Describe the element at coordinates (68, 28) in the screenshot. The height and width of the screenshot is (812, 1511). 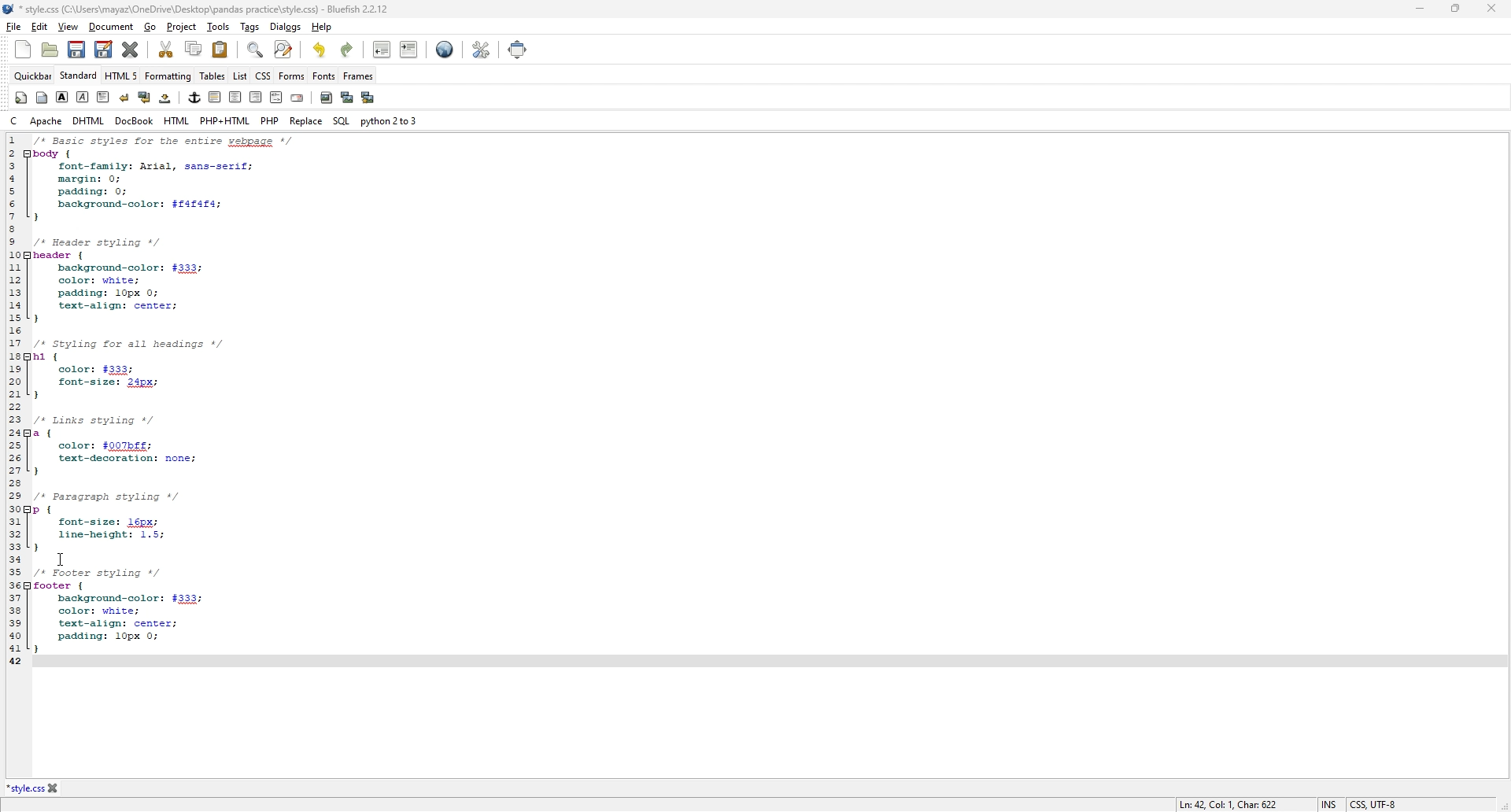
I see `view` at that location.